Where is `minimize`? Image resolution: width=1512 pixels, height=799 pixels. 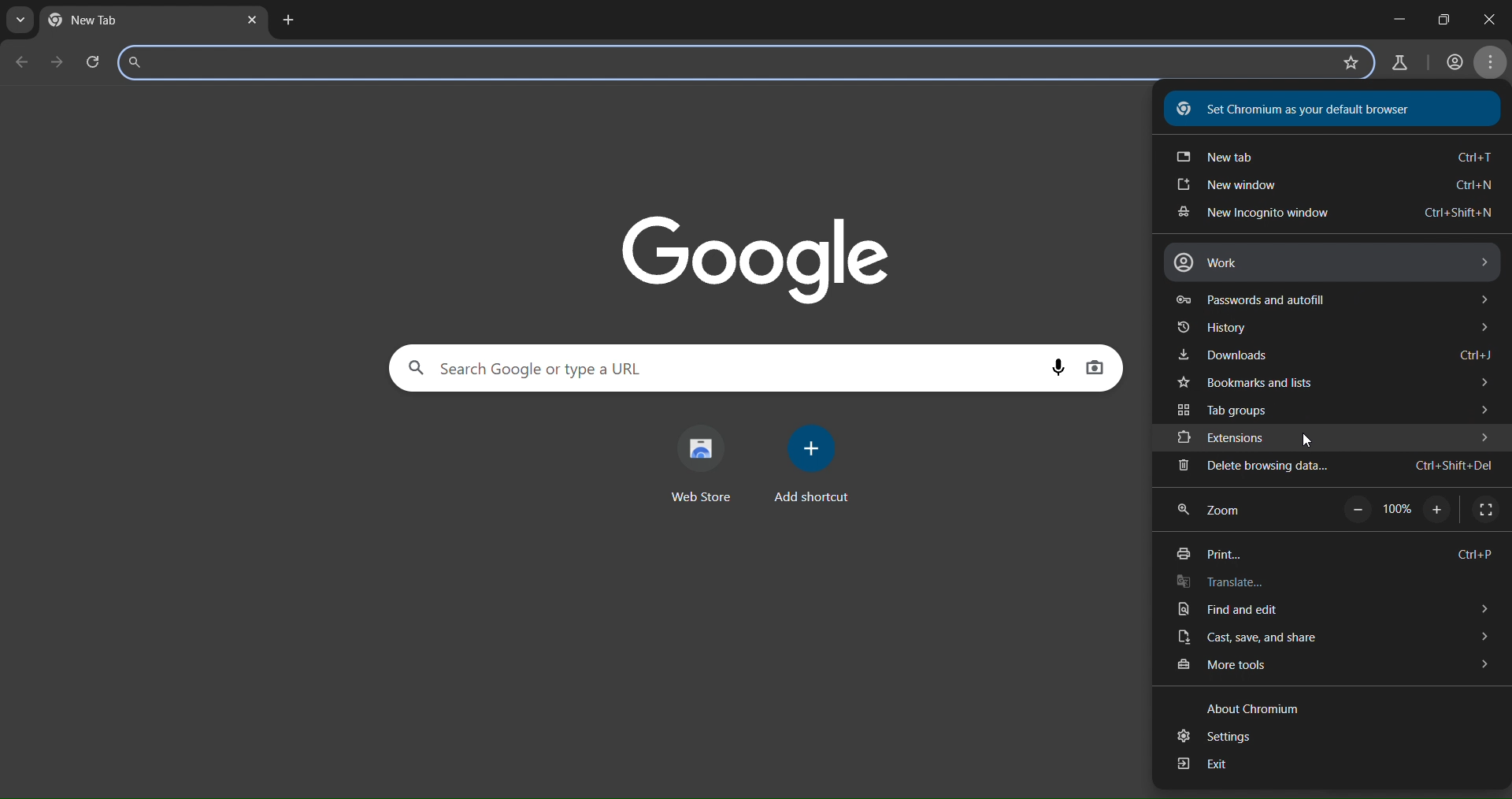
minimize is located at coordinates (1391, 17).